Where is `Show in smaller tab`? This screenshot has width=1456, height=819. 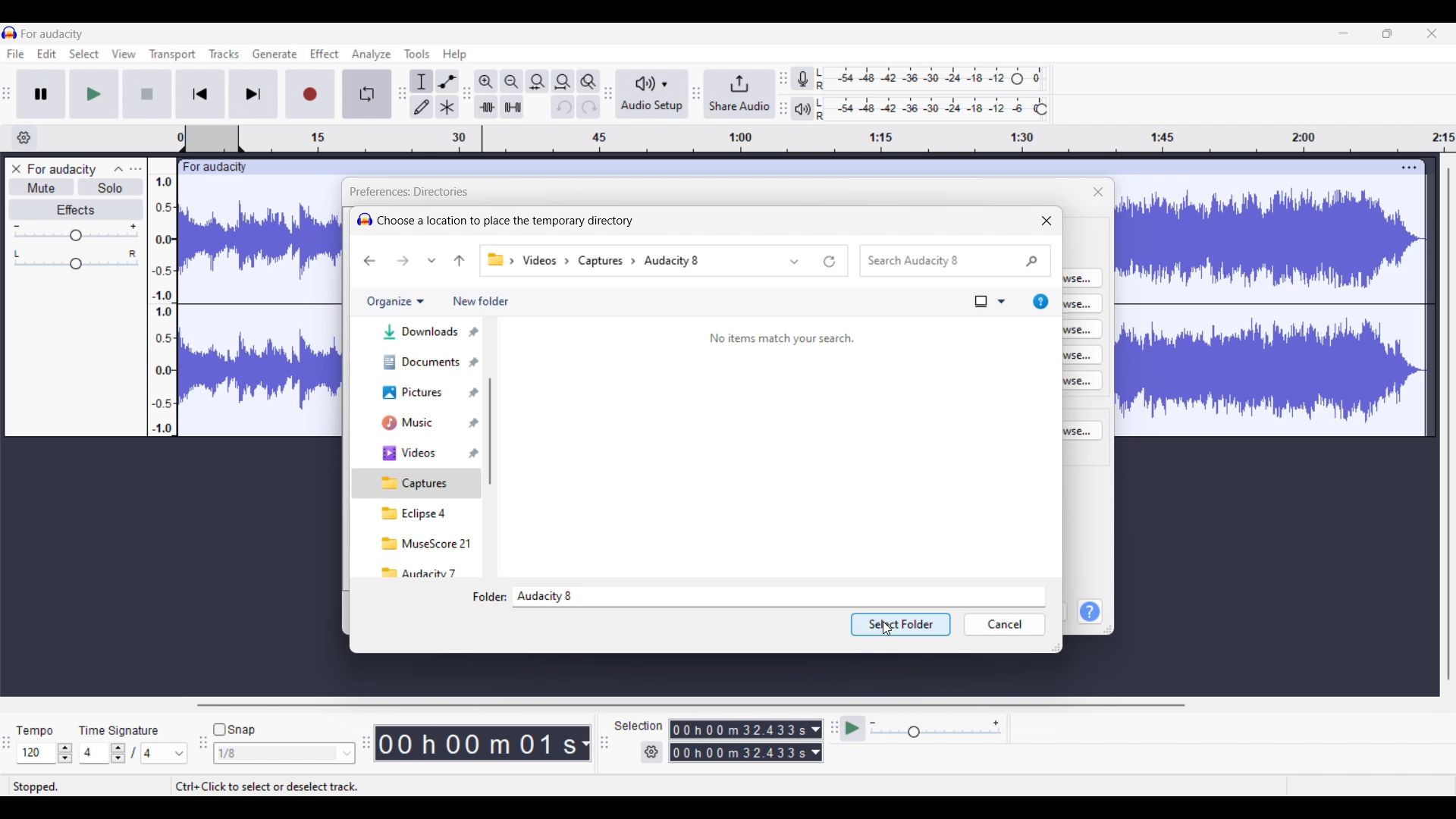 Show in smaller tab is located at coordinates (1388, 33).